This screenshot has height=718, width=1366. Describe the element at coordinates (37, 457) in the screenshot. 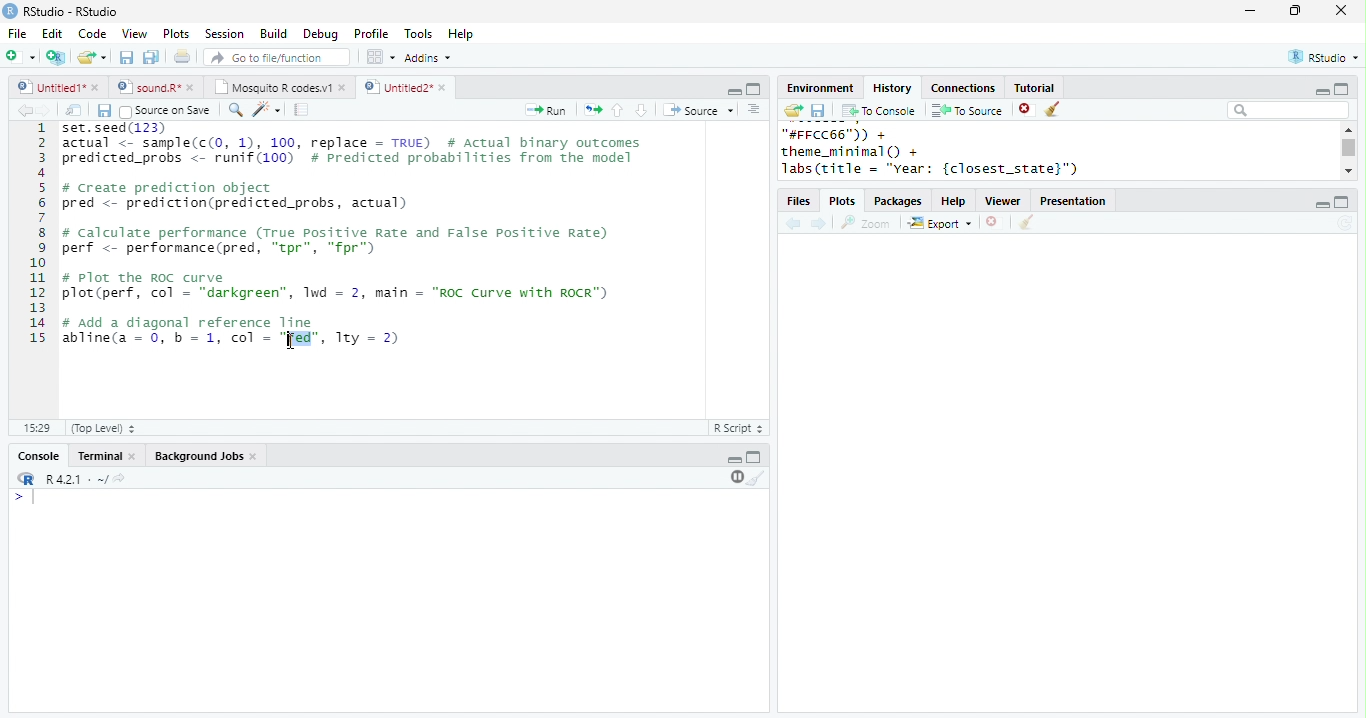

I see `console` at that location.